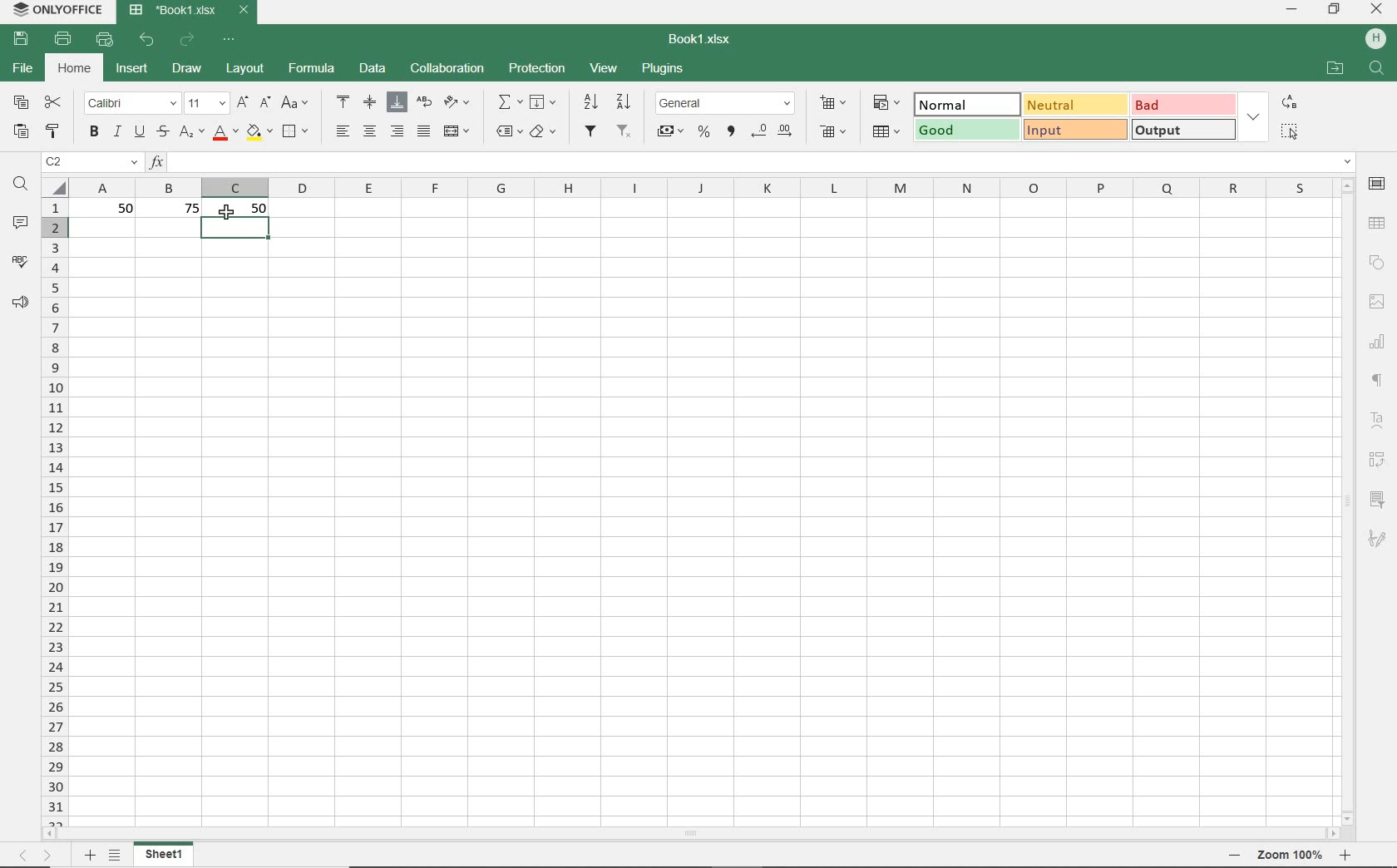 This screenshot has width=1397, height=868. Describe the element at coordinates (371, 133) in the screenshot. I see `align center` at that location.